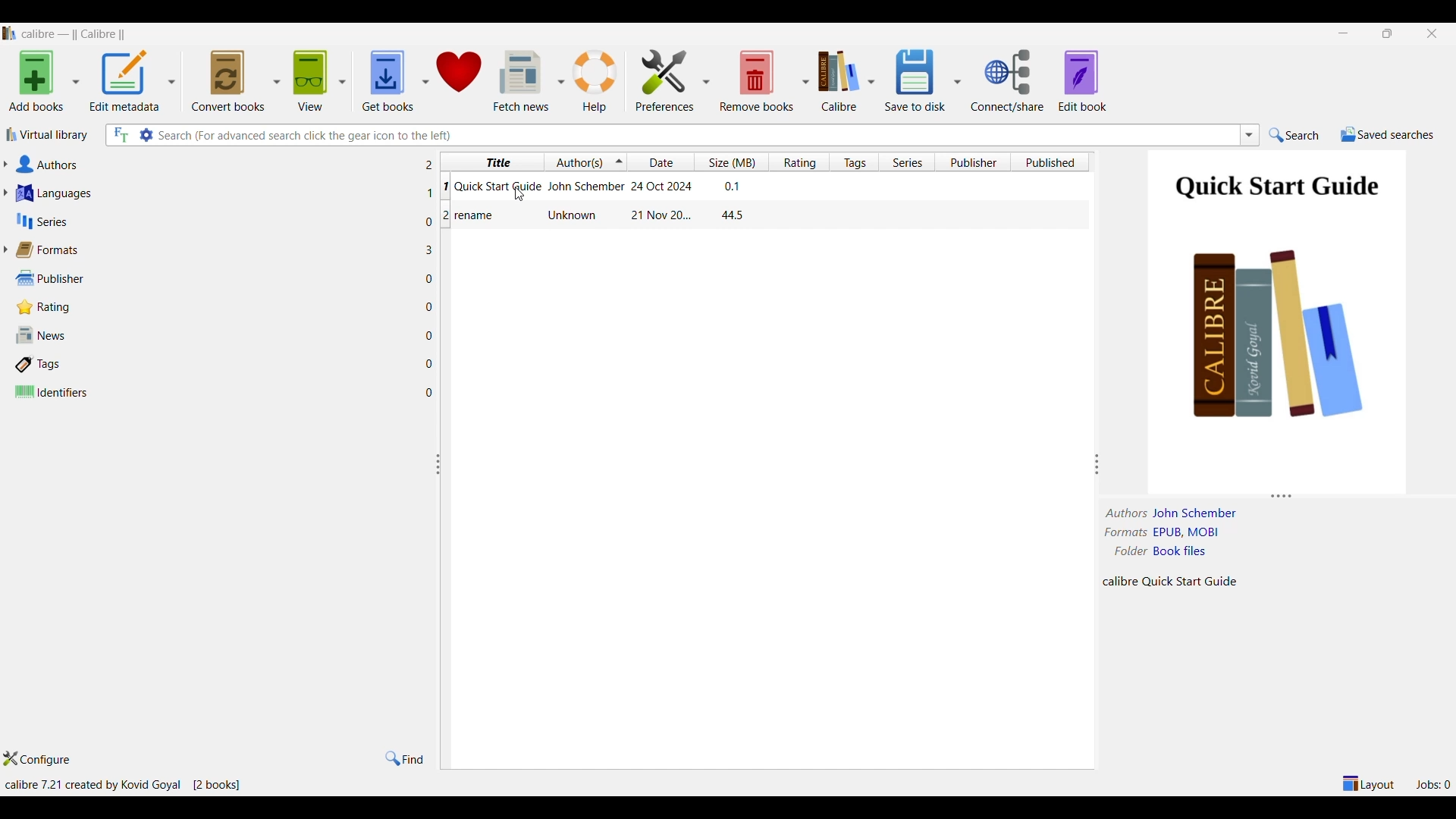 This screenshot has width=1456, height=819. Describe the element at coordinates (1266, 496) in the screenshot. I see `Change height of panels attached` at that location.